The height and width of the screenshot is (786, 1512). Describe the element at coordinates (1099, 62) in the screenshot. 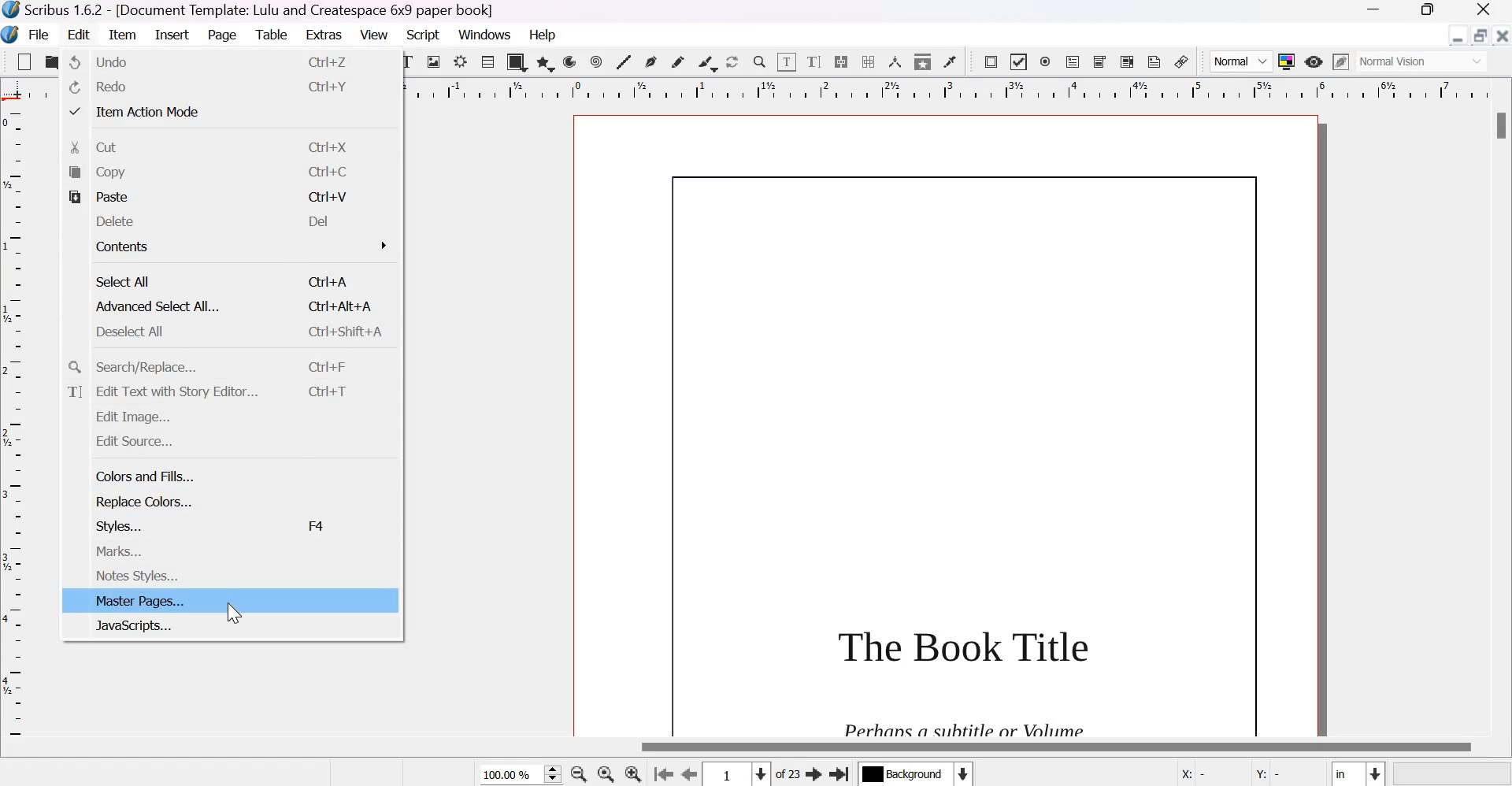

I see `PDF combo box` at that location.